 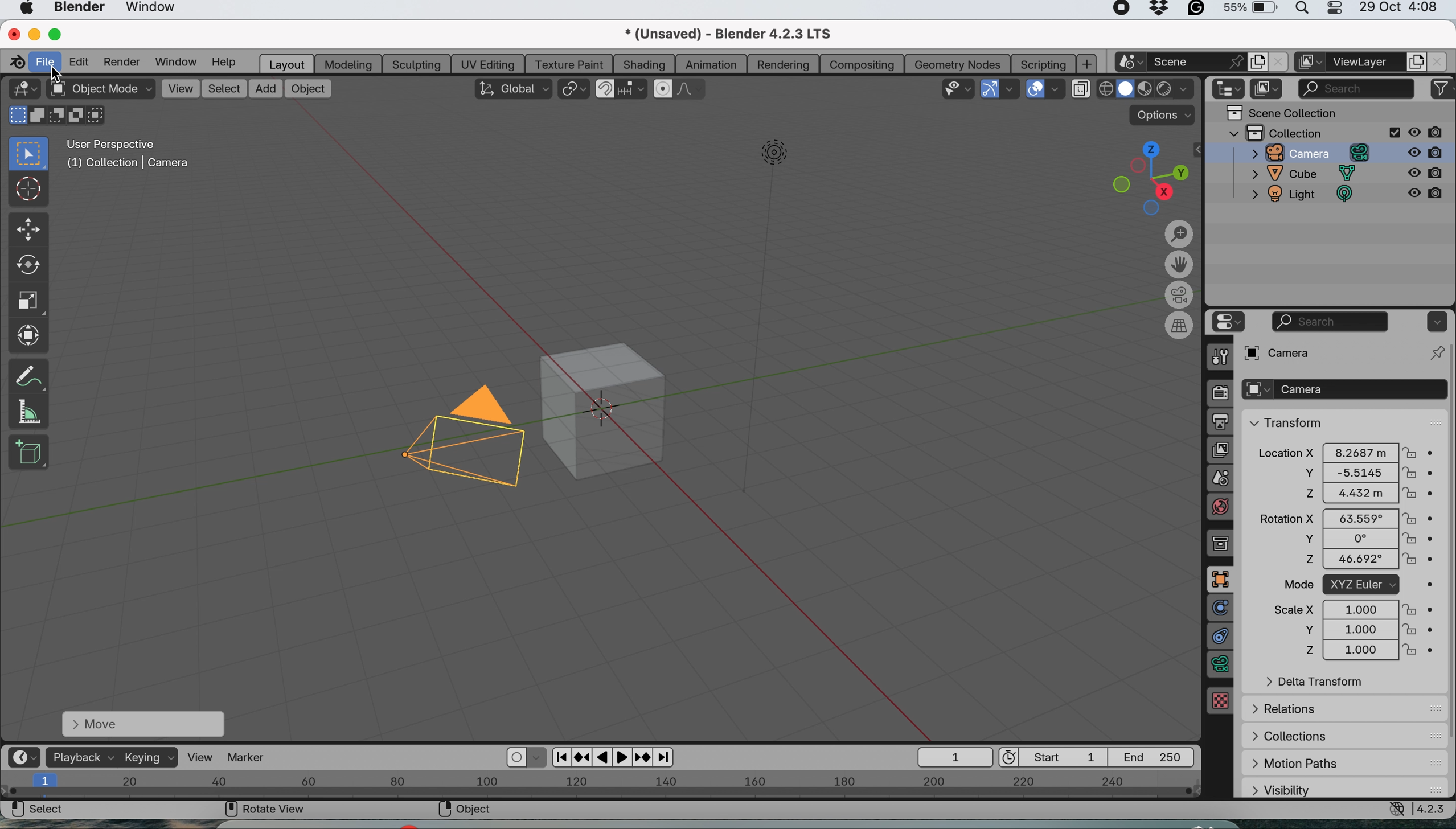 What do you see at coordinates (27, 188) in the screenshot?
I see `cursor` at bounding box center [27, 188].